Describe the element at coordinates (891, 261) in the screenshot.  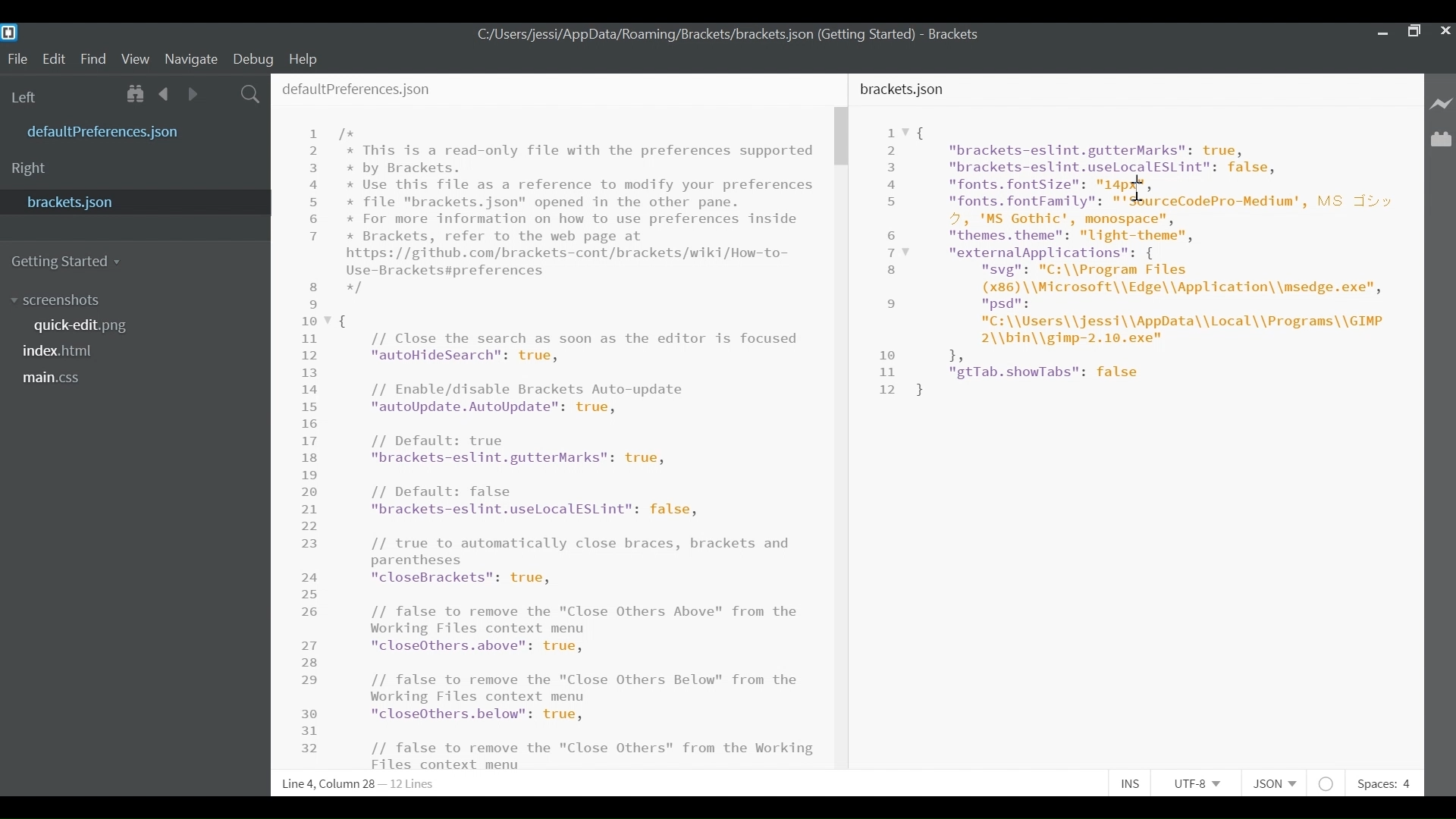
I see `Line Number` at that location.